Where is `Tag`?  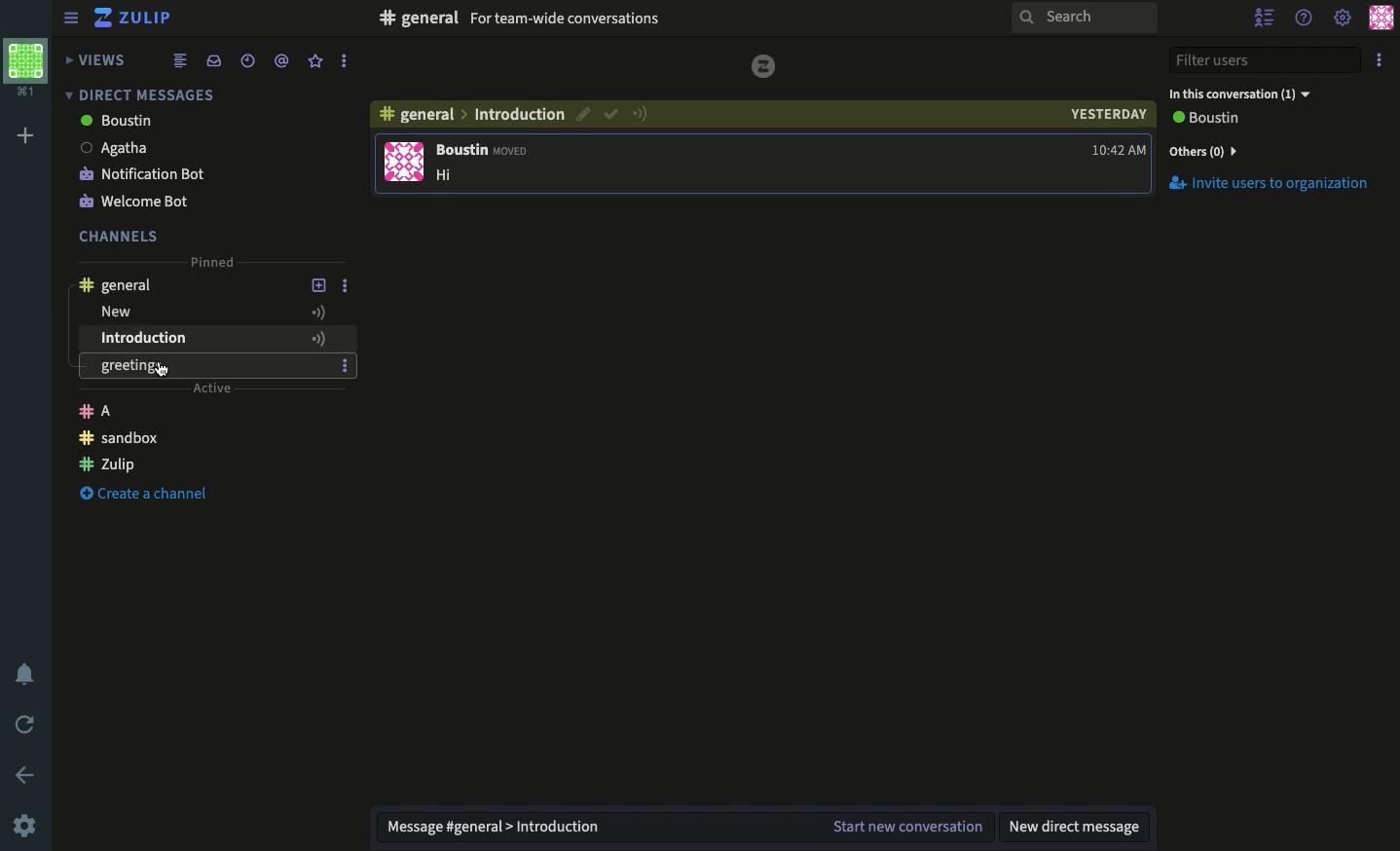 Tag is located at coordinates (281, 59).